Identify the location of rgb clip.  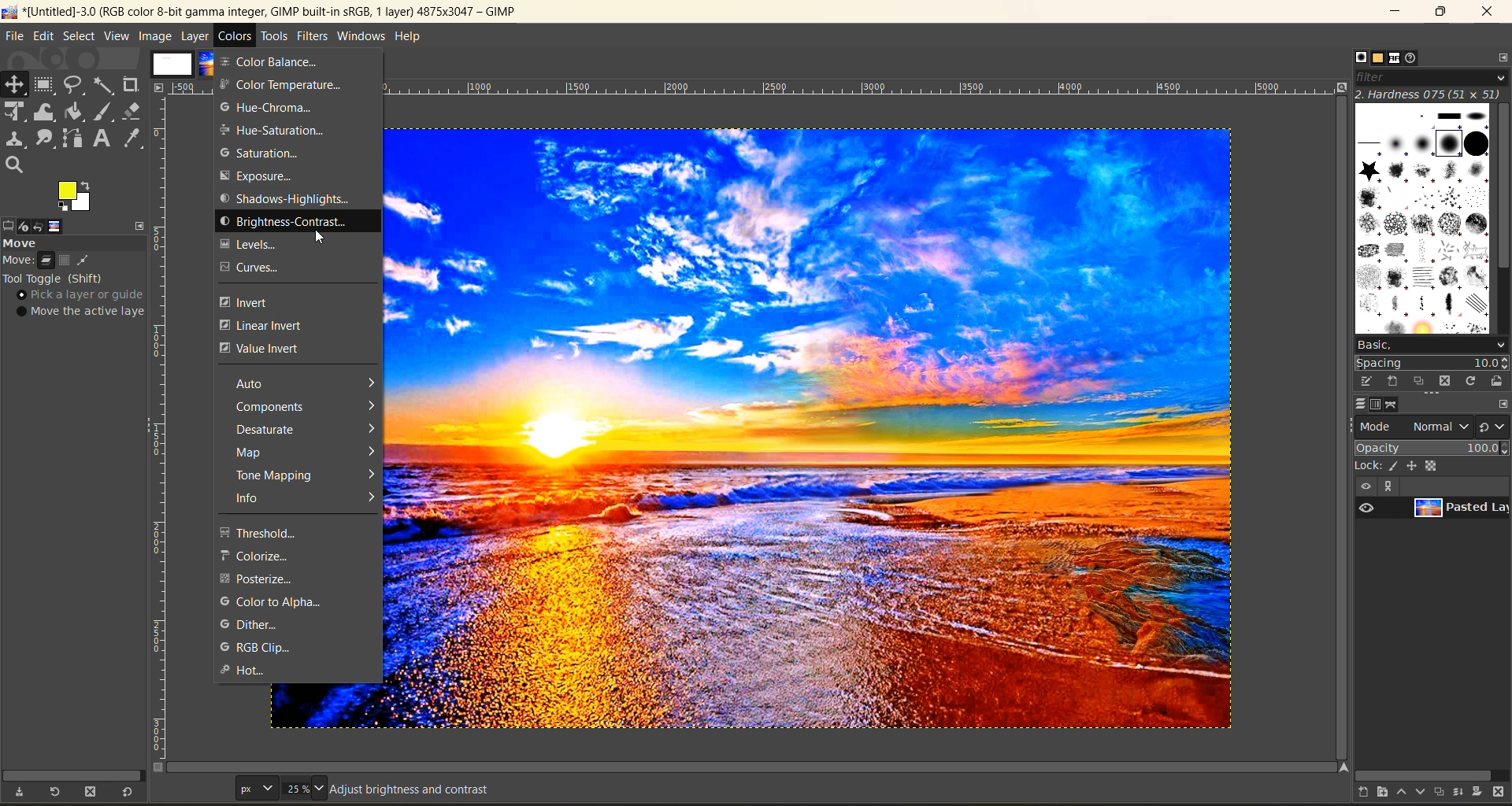
(254, 649).